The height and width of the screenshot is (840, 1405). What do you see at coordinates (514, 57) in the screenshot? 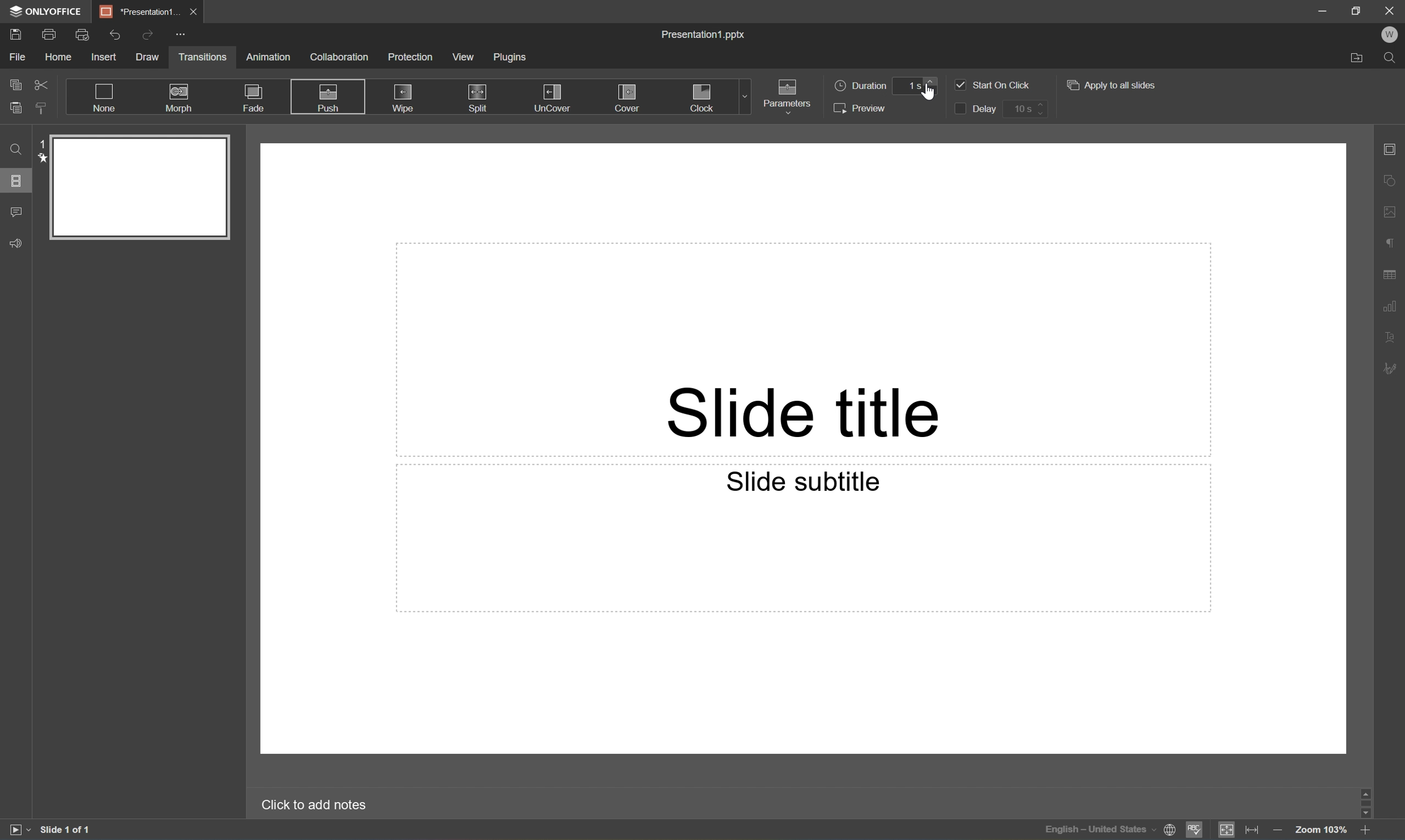
I see `Plugins` at bounding box center [514, 57].